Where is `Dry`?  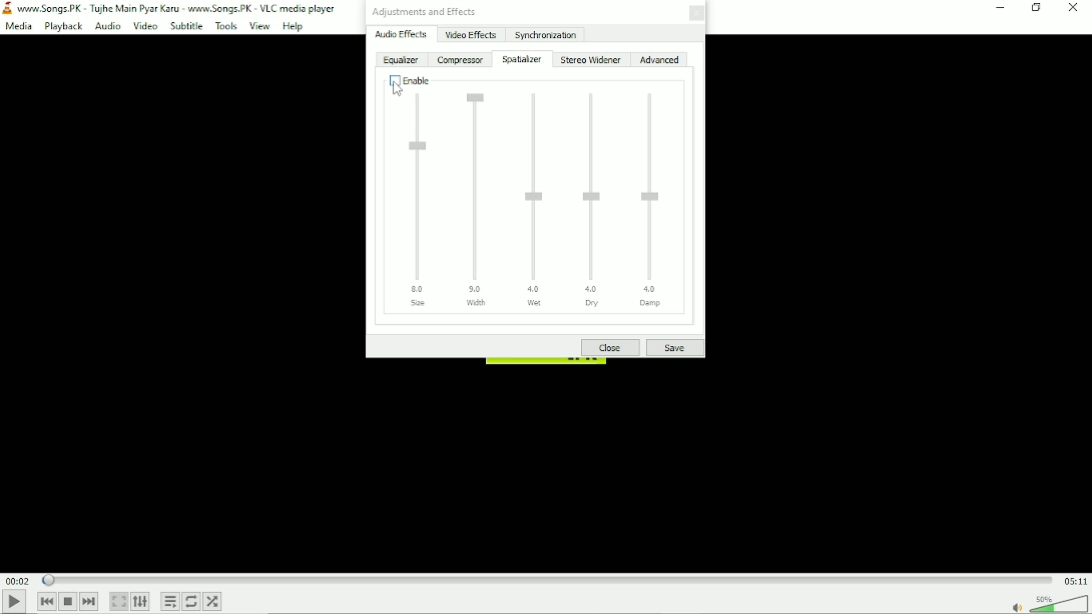
Dry is located at coordinates (594, 200).